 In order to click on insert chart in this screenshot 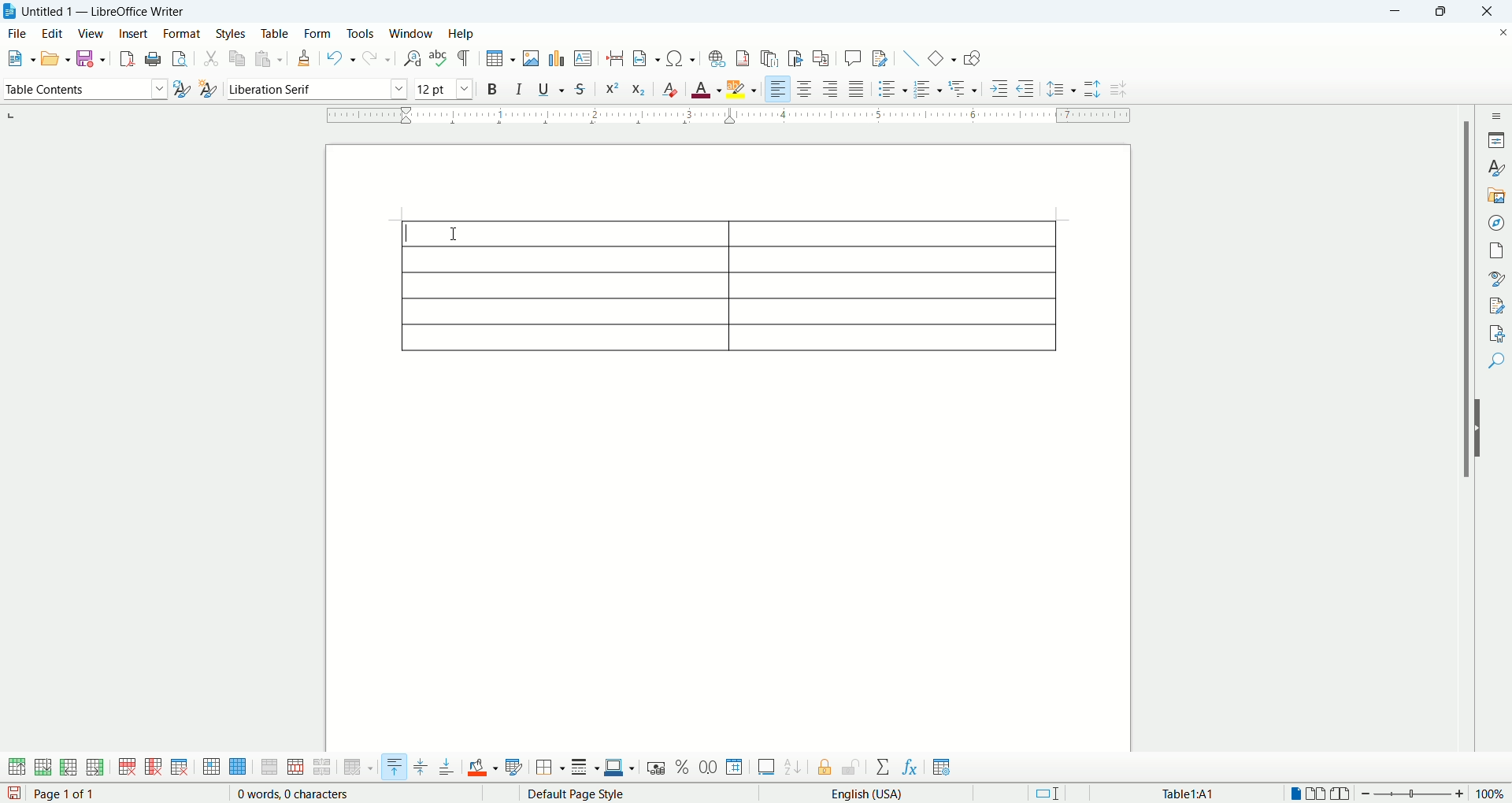, I will do `click(556, 57)`.